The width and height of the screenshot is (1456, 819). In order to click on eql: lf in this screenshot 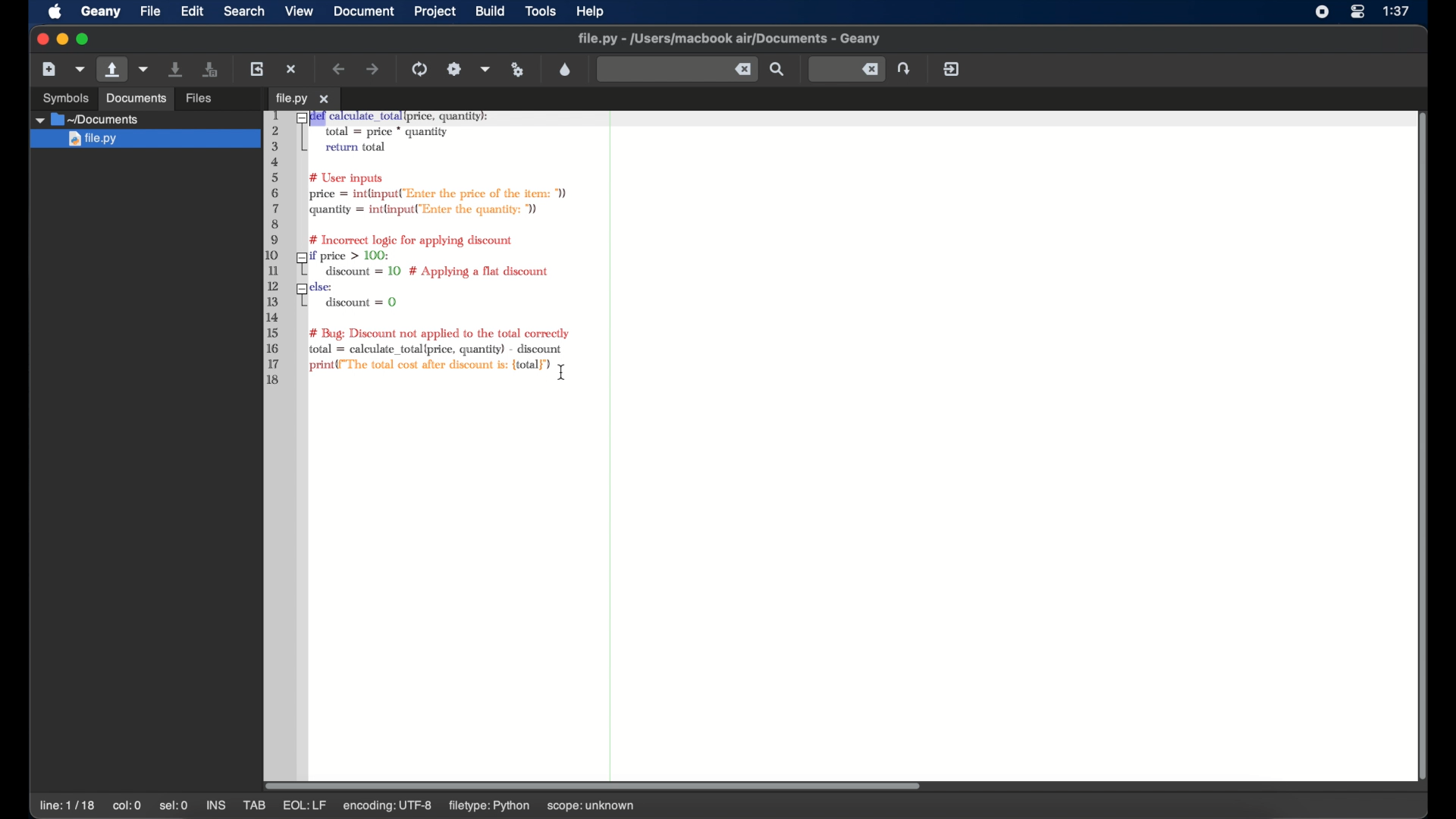, I will do `click(305, 806)`.